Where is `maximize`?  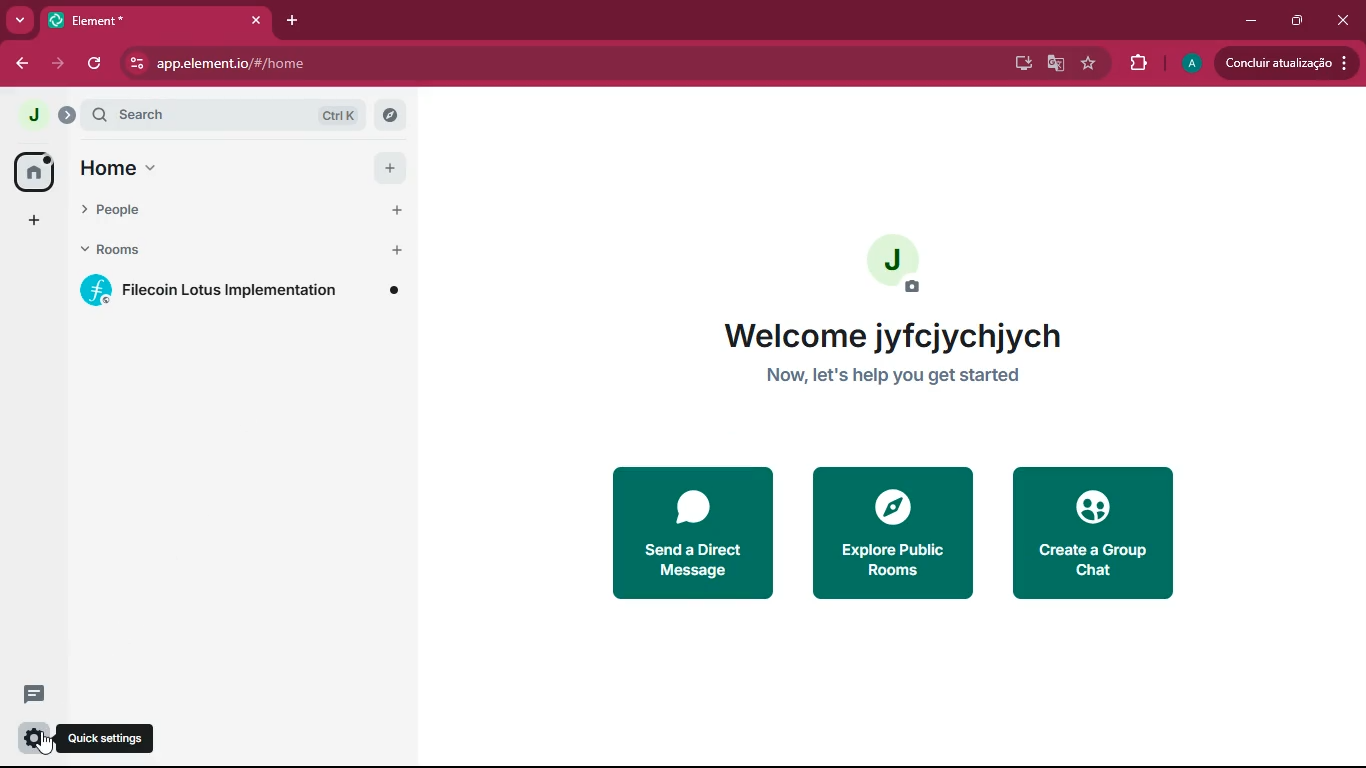
maximize is located at coordinates (1299, 22).